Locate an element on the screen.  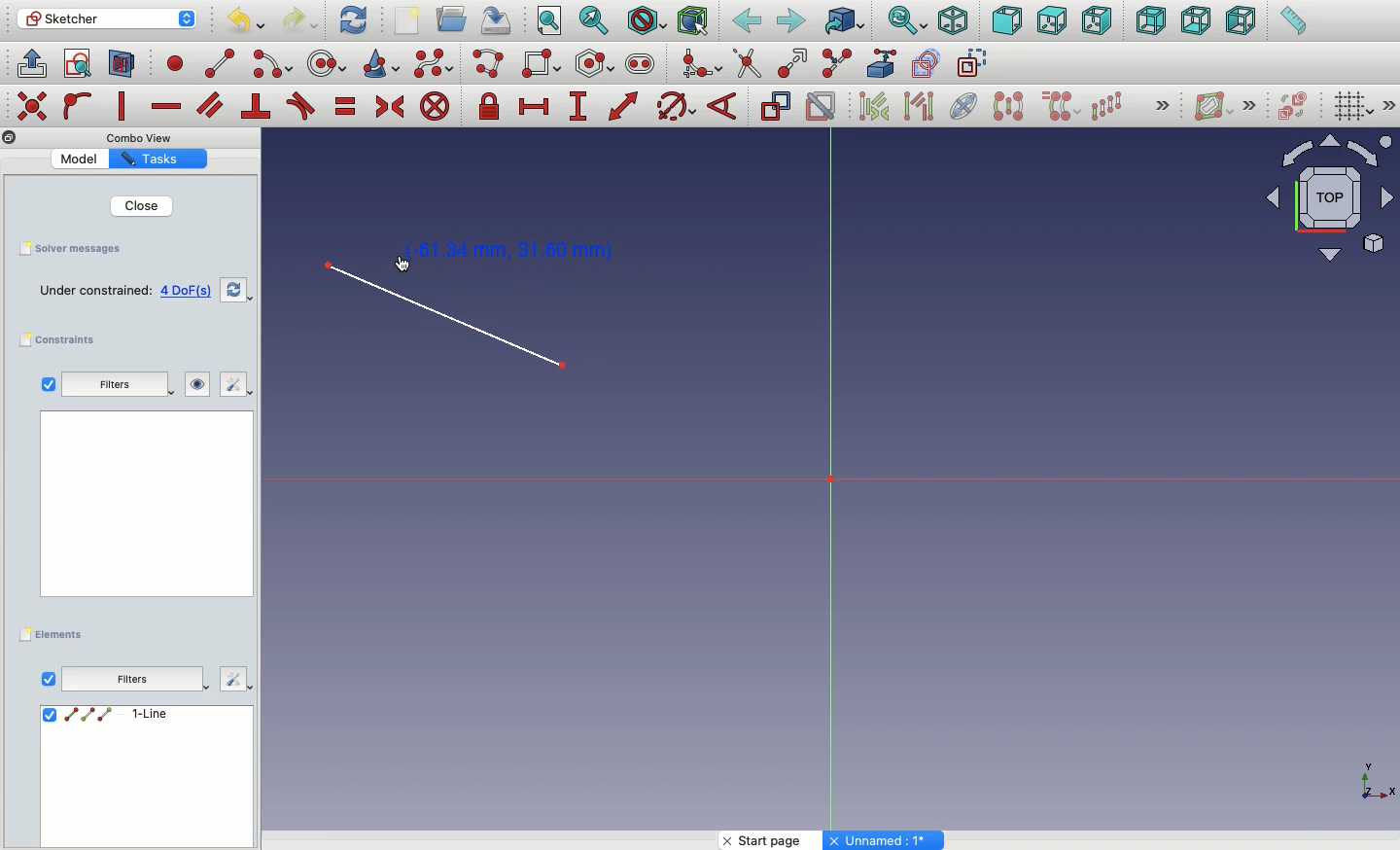
Save is located at coordinates (501, 20).